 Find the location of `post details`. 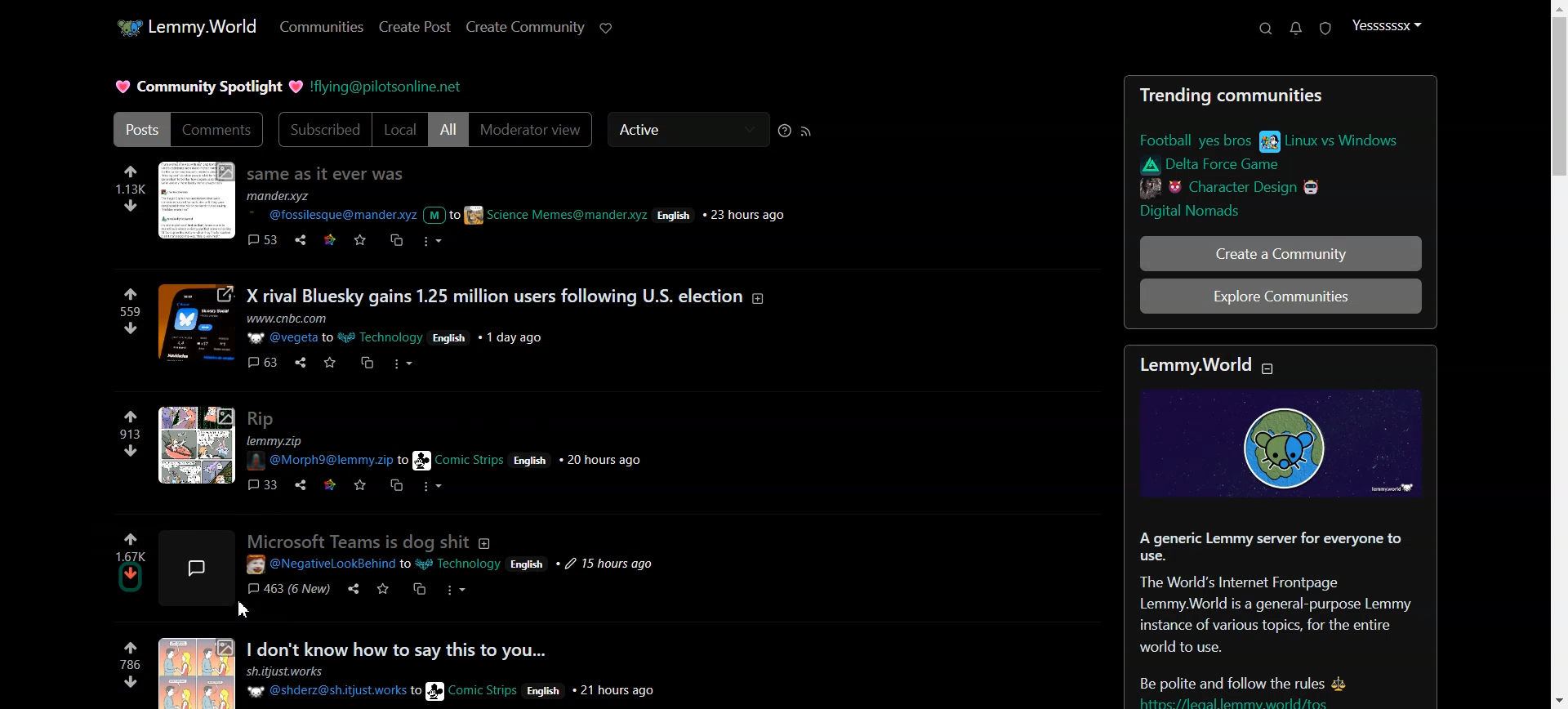

post details is located at coordinates (465, 682).